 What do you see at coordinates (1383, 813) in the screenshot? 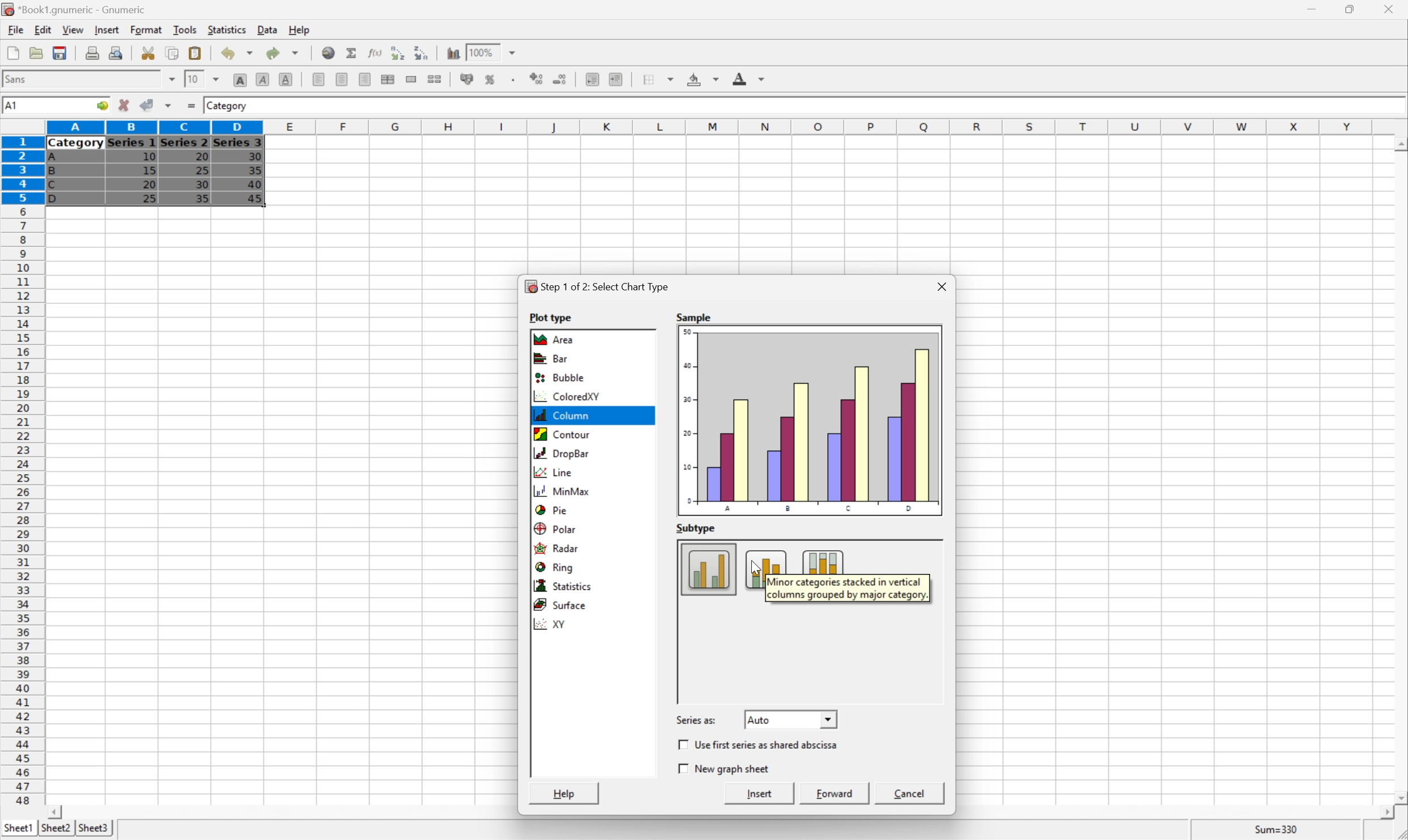
I see `Scroll Right` at bounding box center [1383, 813].